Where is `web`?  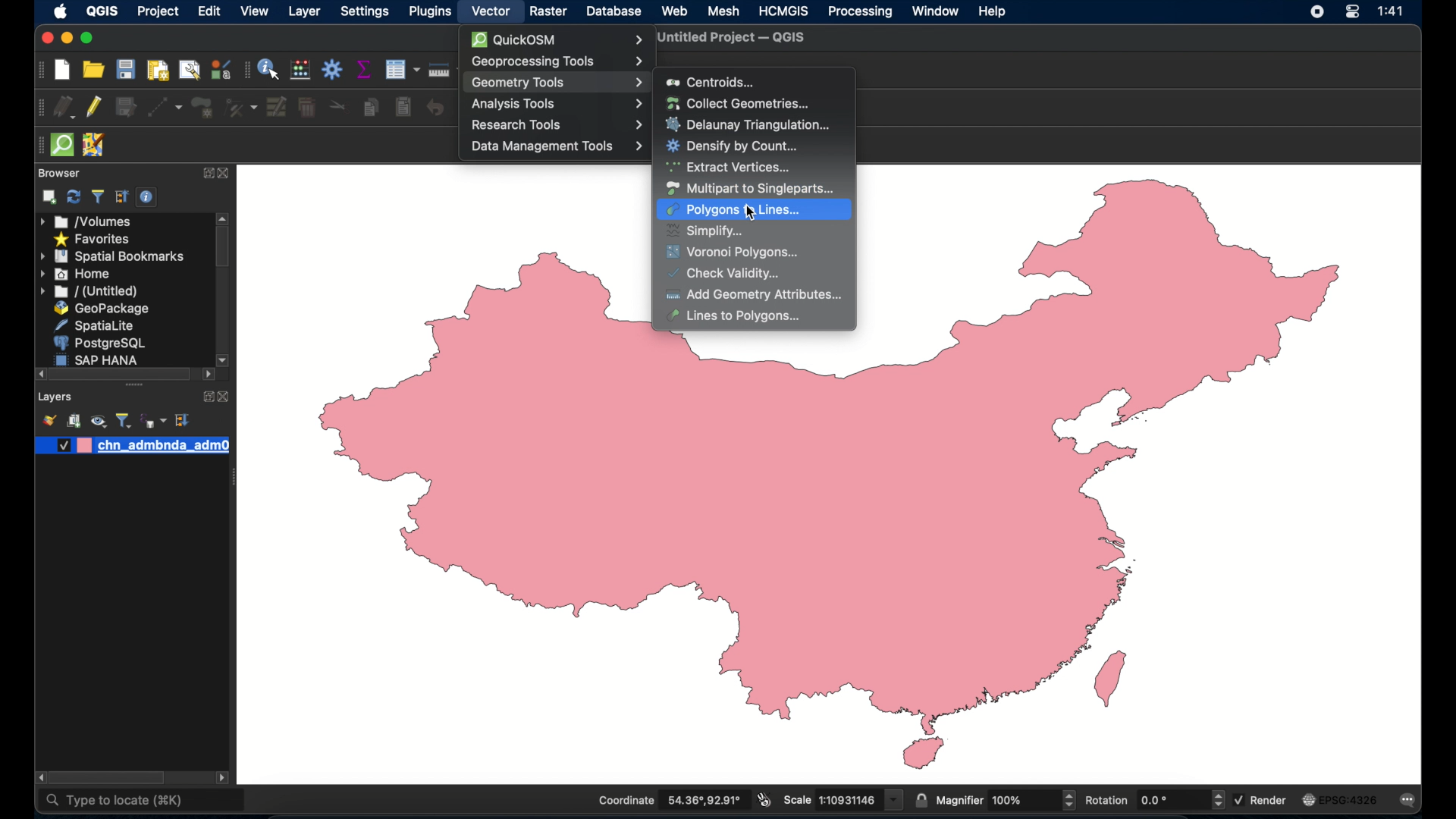
web is located at coordinates (674, 11).